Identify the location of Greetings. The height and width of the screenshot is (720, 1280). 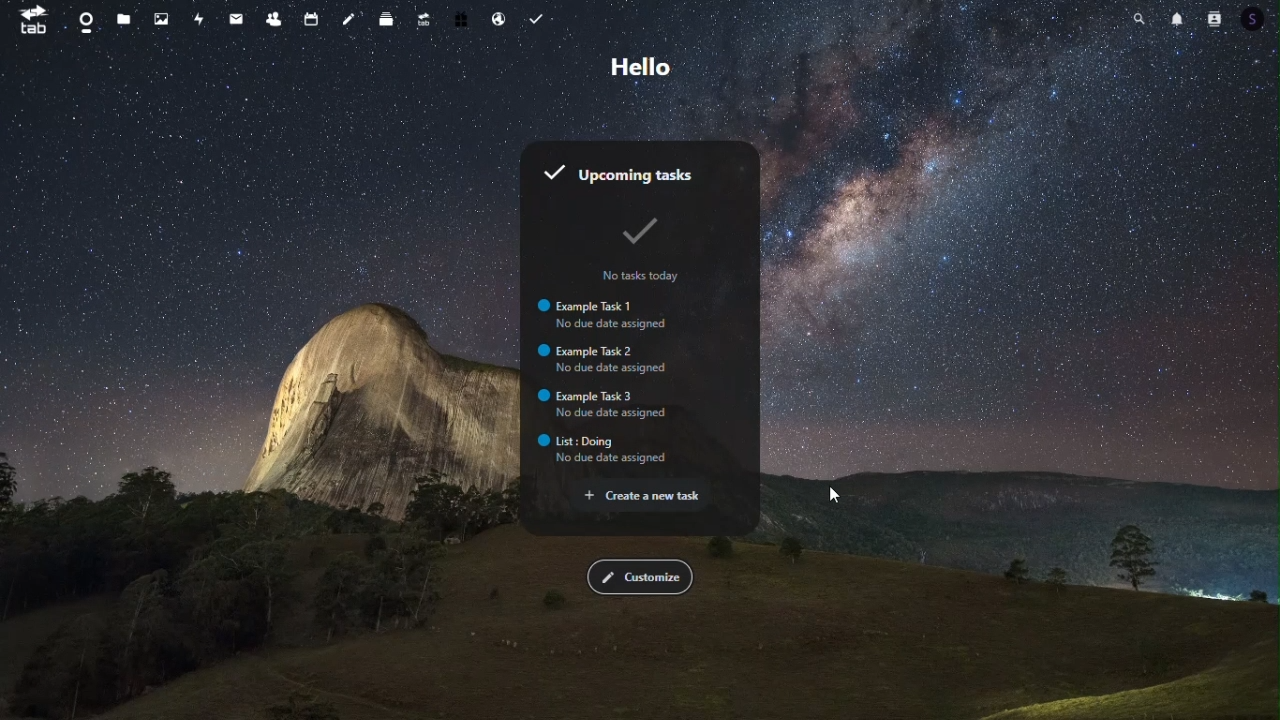
(643, 68).